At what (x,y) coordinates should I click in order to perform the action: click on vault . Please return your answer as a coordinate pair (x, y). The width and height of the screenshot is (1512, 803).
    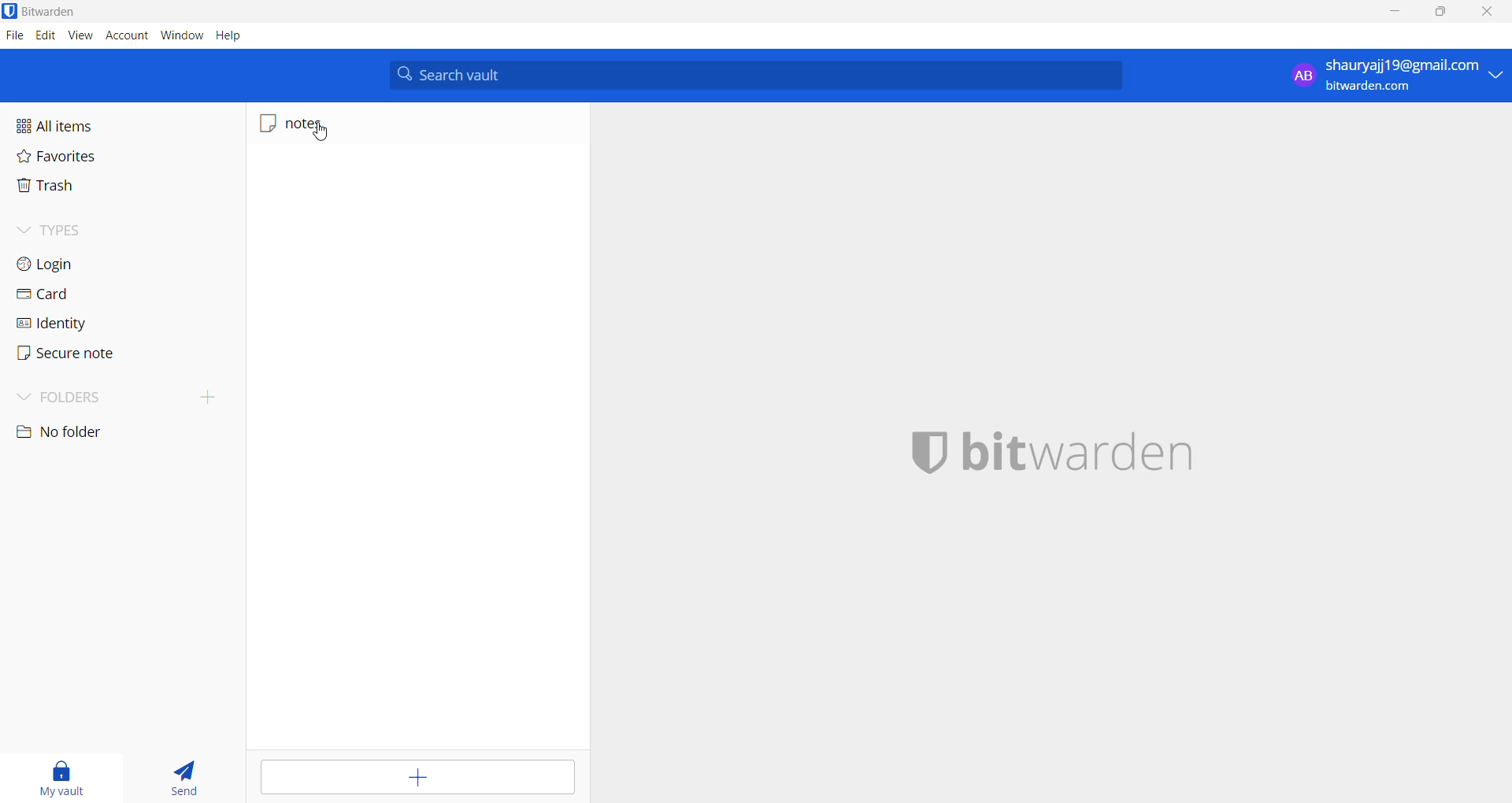
    Looking at the image, I should click on (58, 775).